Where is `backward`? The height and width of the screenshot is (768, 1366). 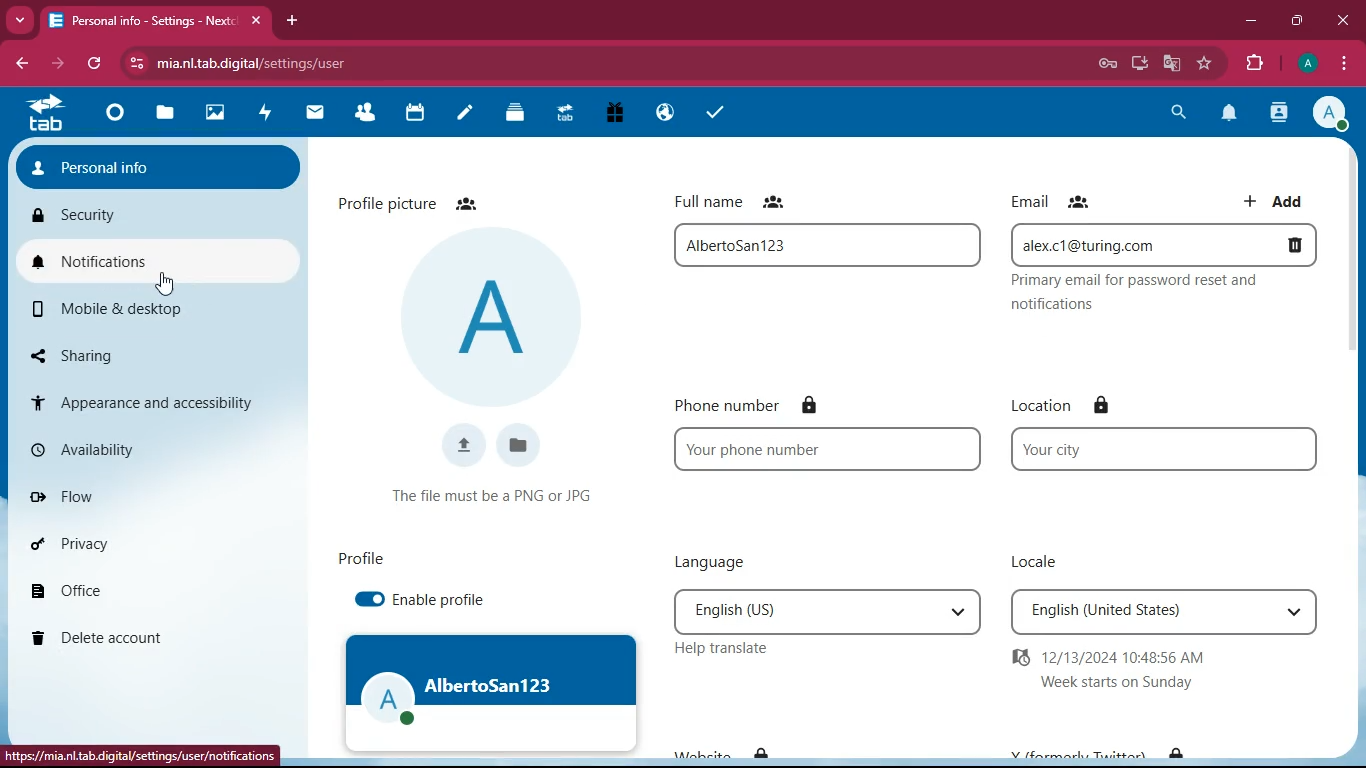
backward is located at coordinates (19, 61).